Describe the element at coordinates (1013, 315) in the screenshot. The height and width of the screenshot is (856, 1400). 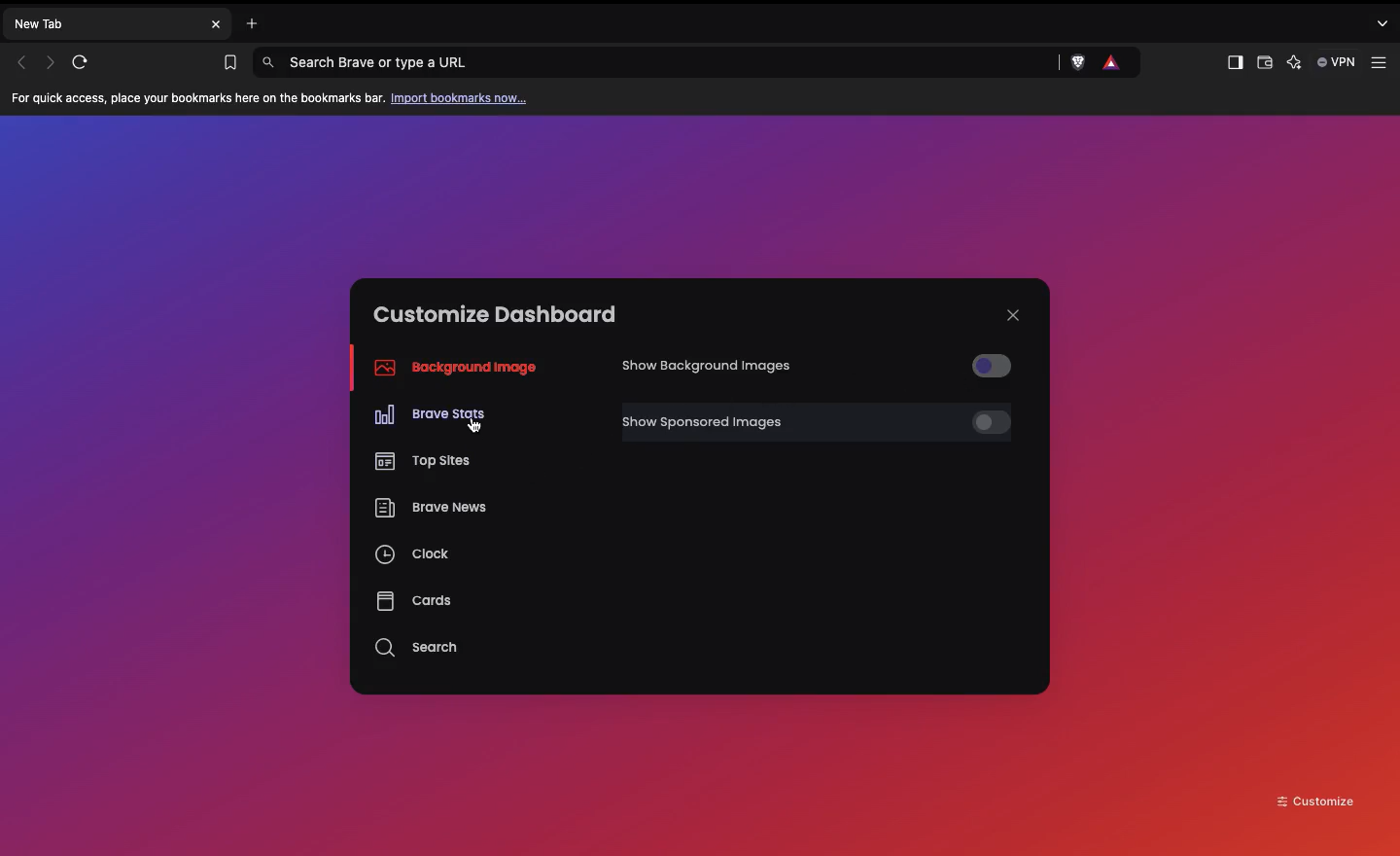
I see `Close` at that location.